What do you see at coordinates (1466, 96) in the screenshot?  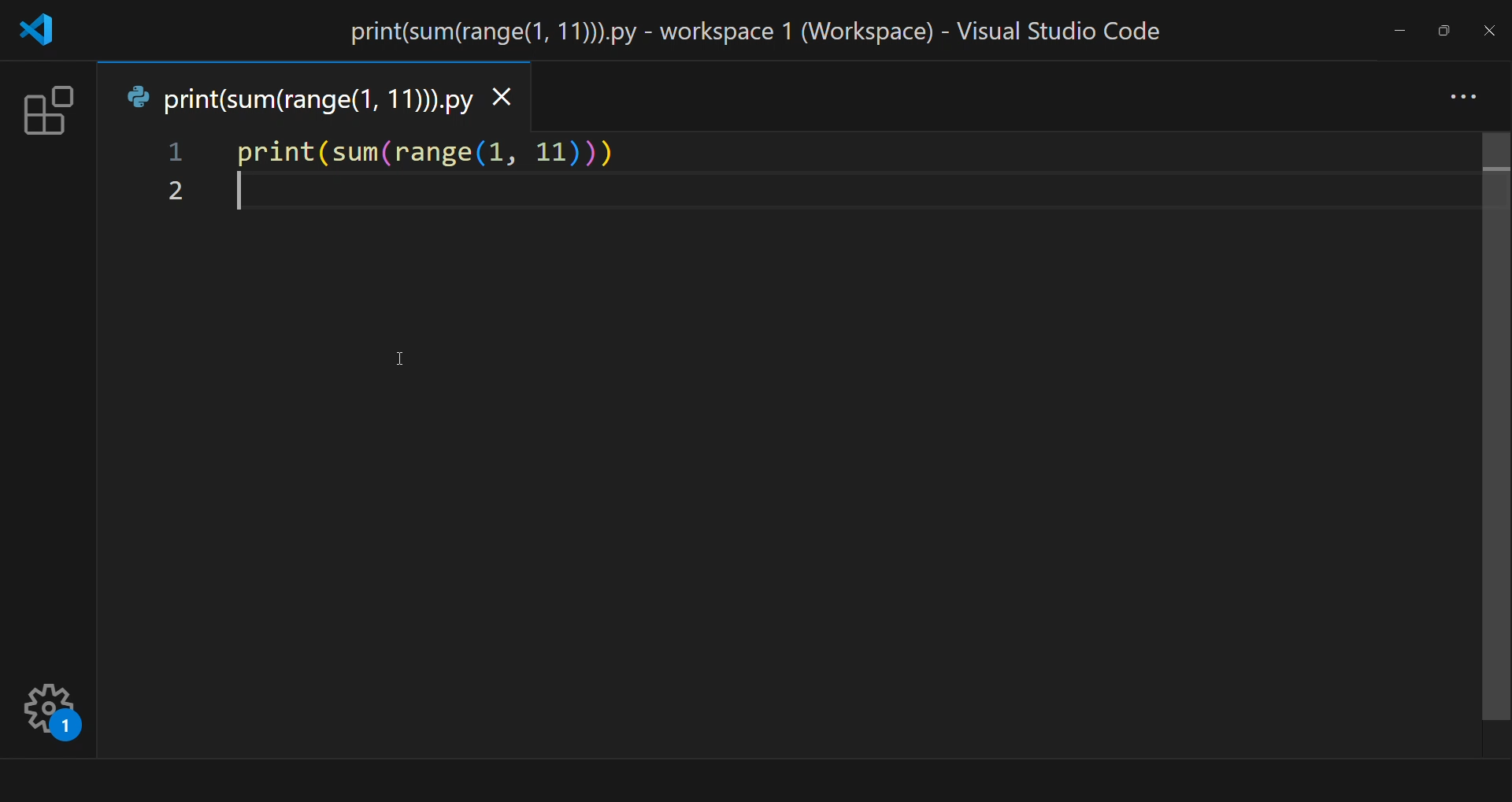 I see `more` at bounding box center [1466, 96].